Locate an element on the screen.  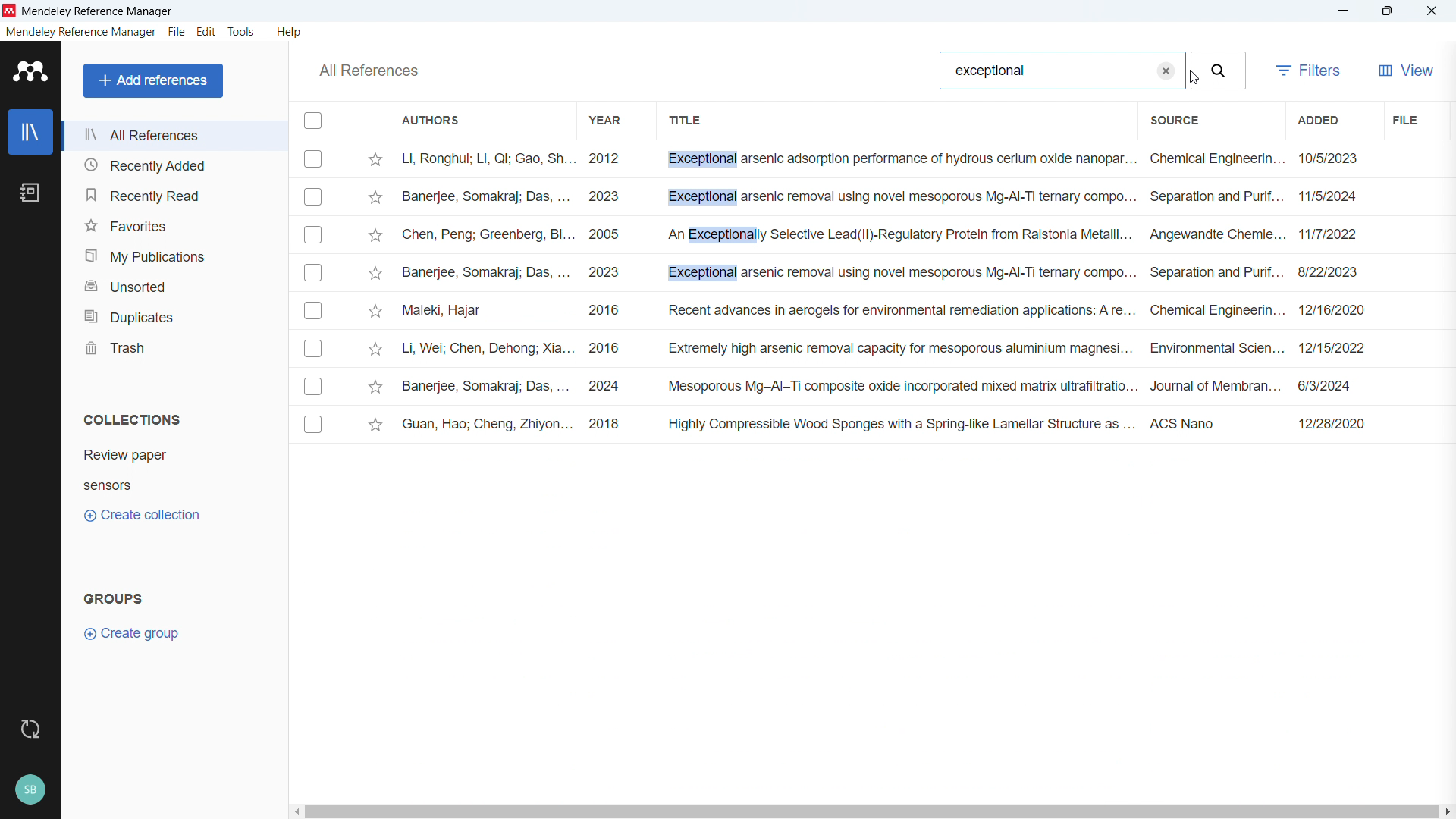
file is located at coordinates (177, 32).